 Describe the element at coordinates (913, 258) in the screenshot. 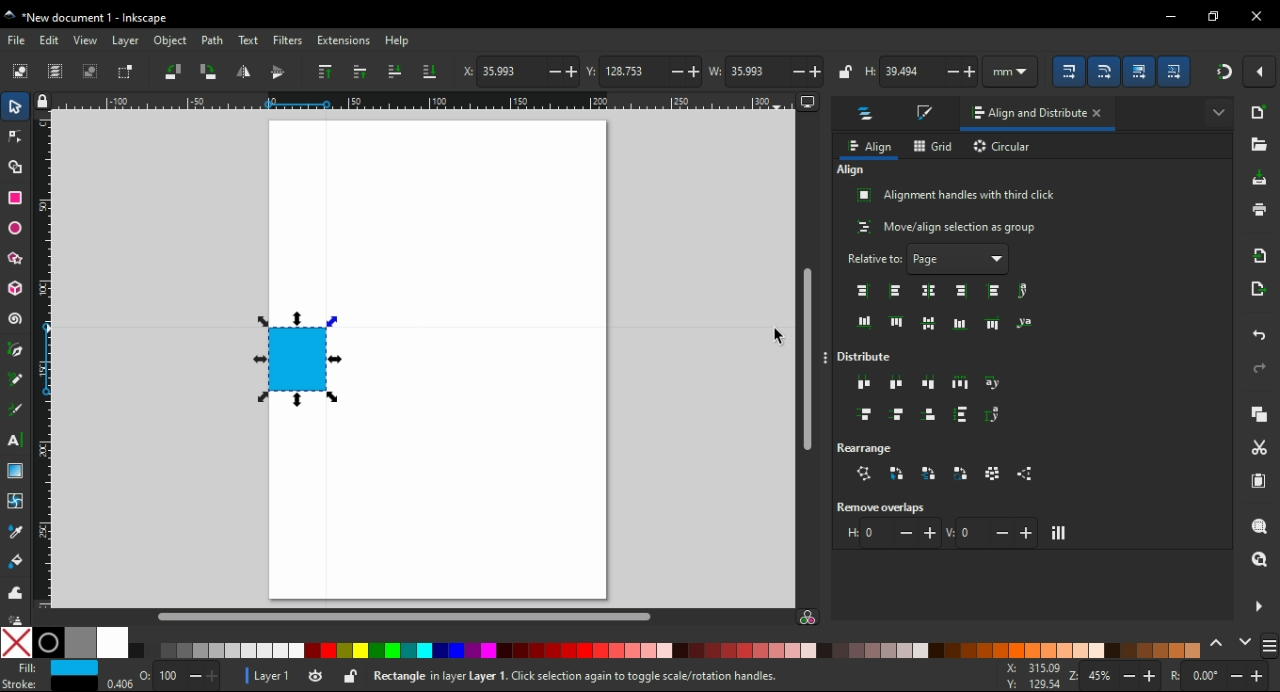

I see `relative to` at that location.